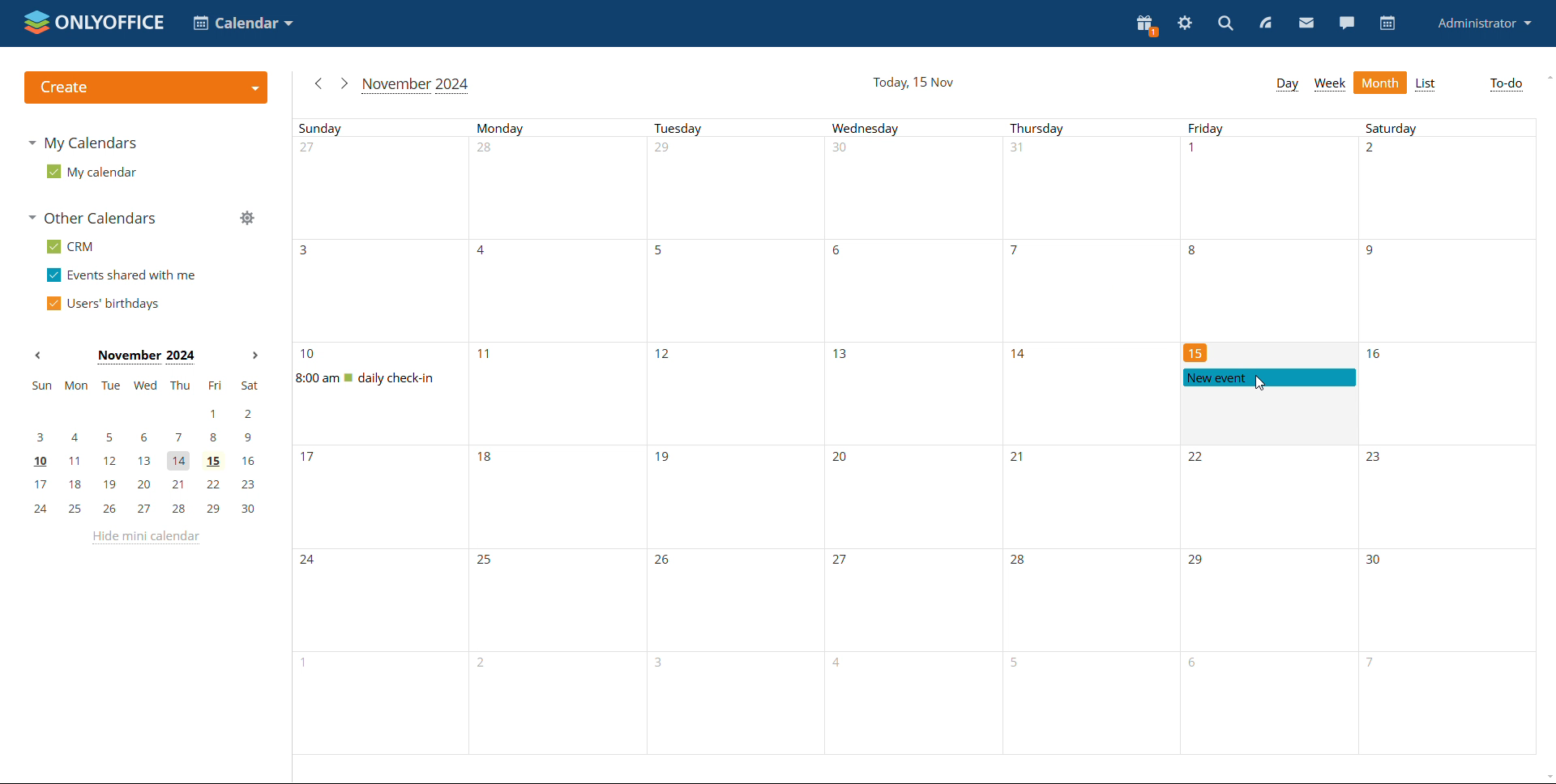 This screenshot has width=1556, height=784. Describe the element at coordinates (149, 438) in the screenshot. I see `3, 4, 5, 6, 7, 8, 9` at that location.